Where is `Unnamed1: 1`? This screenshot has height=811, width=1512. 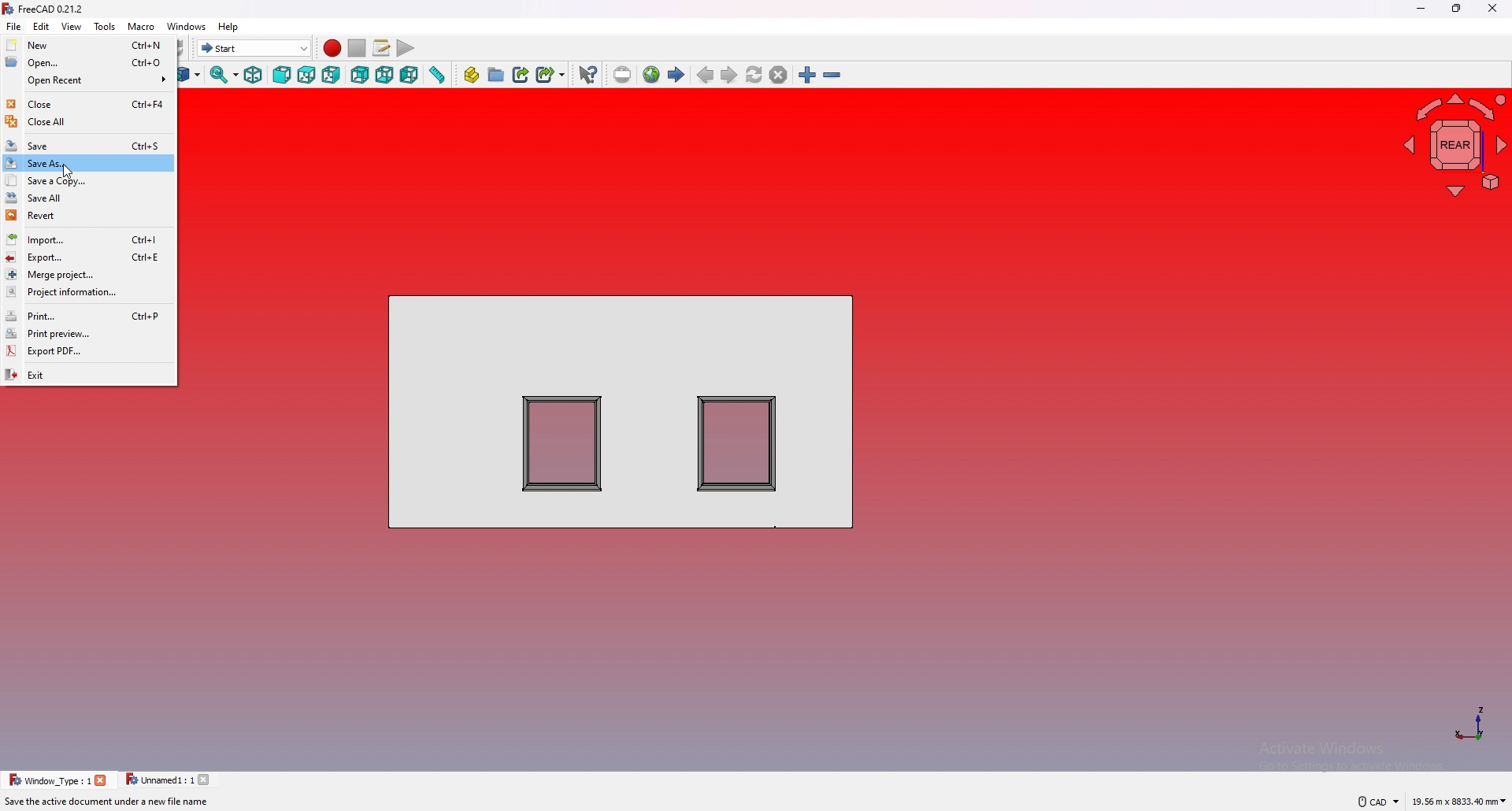 Unnamed1: 1 is located at coordinates (159, 780).